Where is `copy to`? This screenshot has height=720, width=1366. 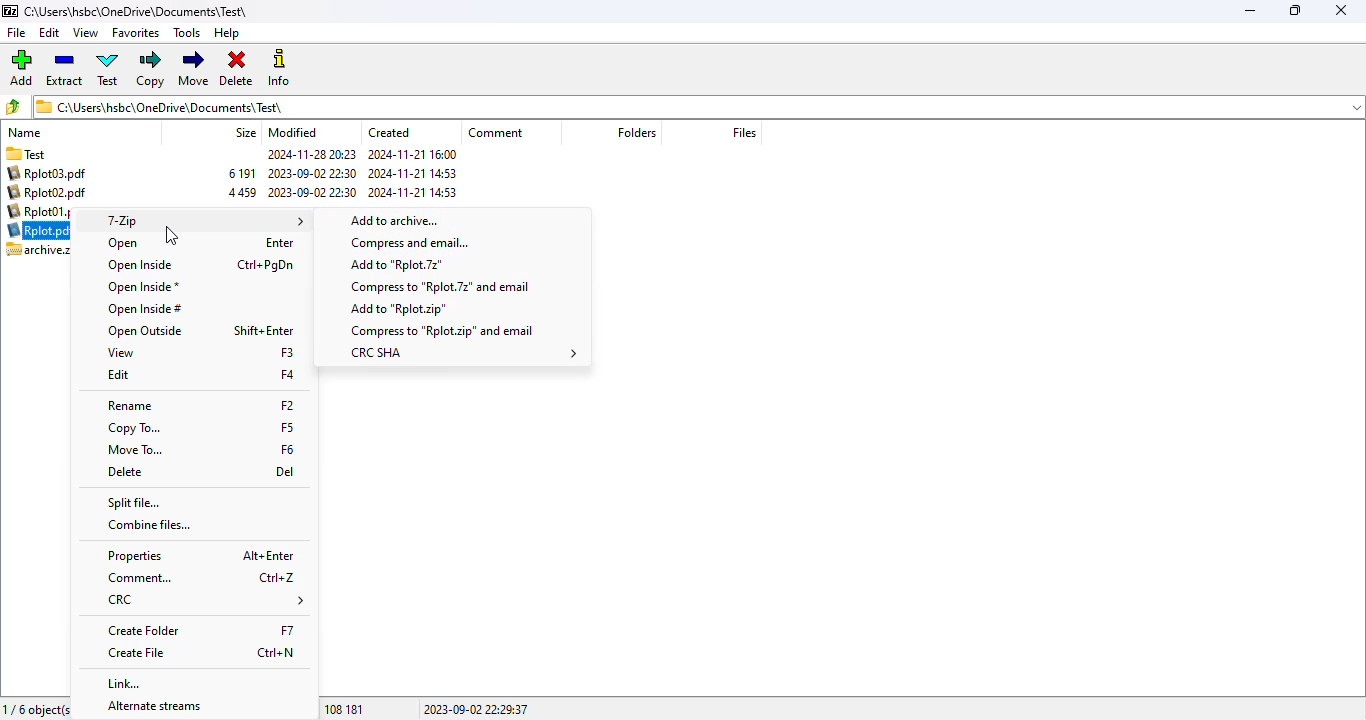
copy to is located at coordinates (136, 428).